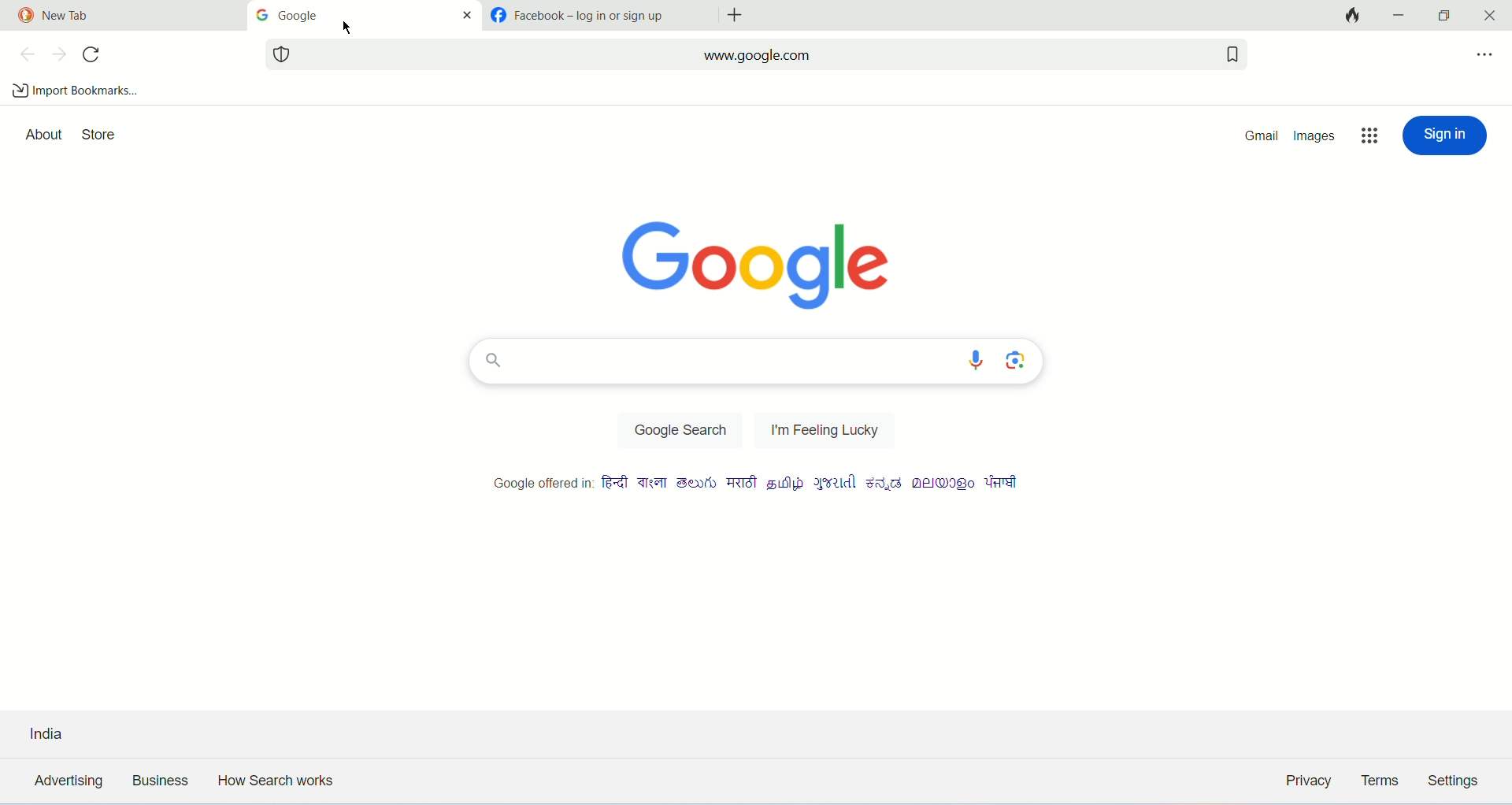 The height and width of the screenshot is (805, 1512). I want to click on advertising, so click(65, 783).